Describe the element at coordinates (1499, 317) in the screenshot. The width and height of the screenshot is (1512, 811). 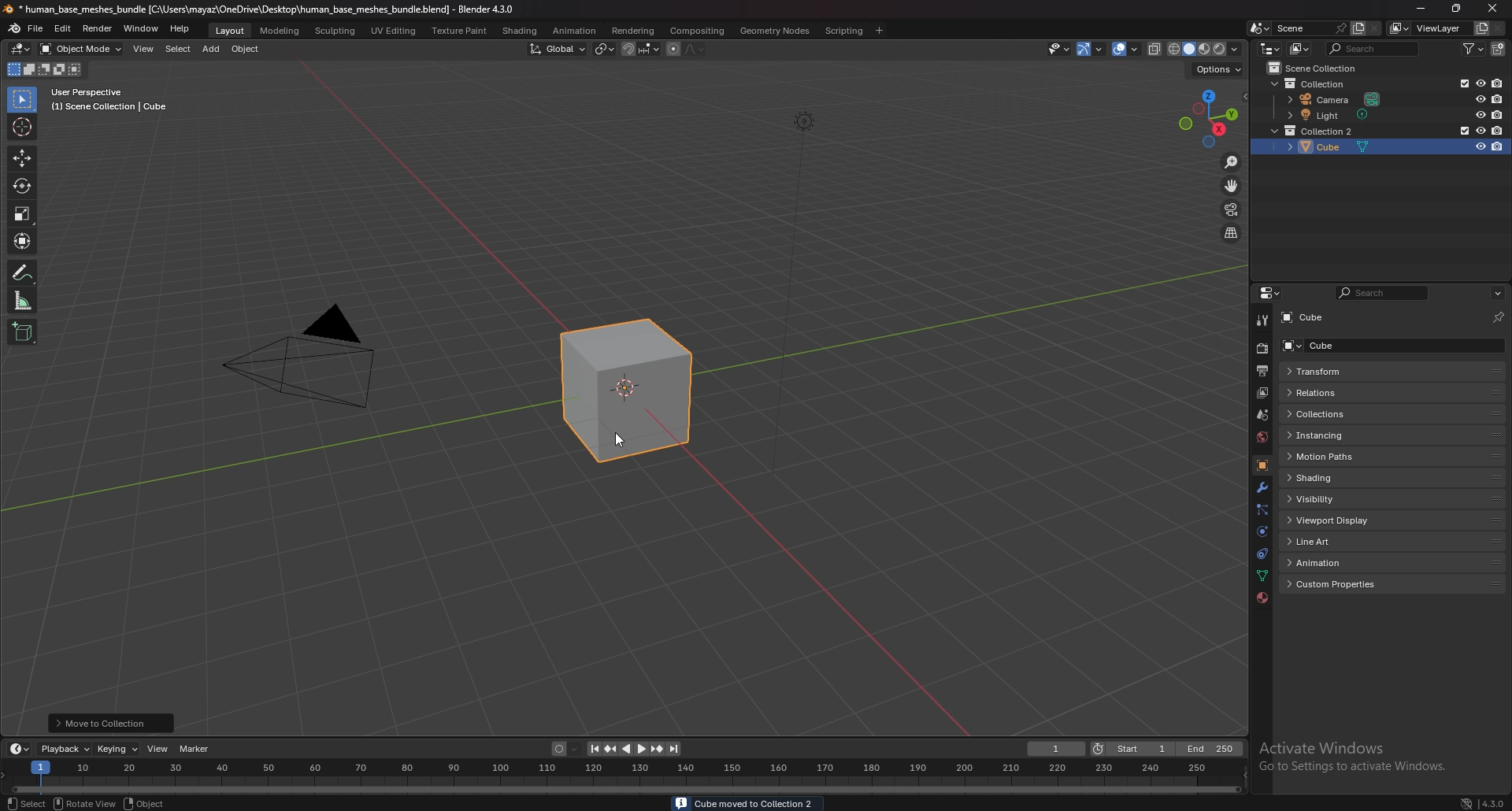
I see `toggle pin id` at that location.